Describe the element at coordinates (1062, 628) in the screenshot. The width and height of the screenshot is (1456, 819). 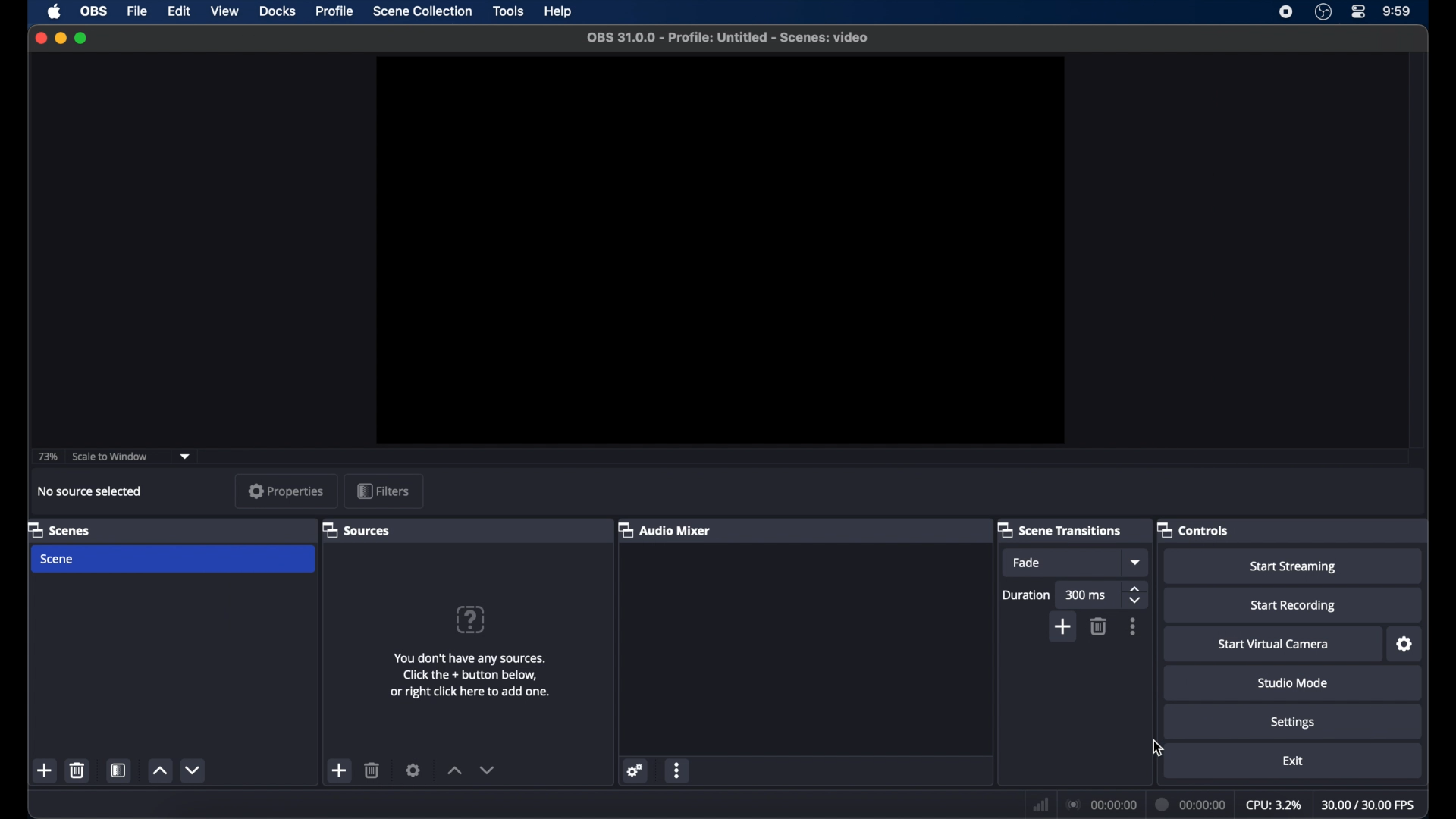
I see `add` at that location.